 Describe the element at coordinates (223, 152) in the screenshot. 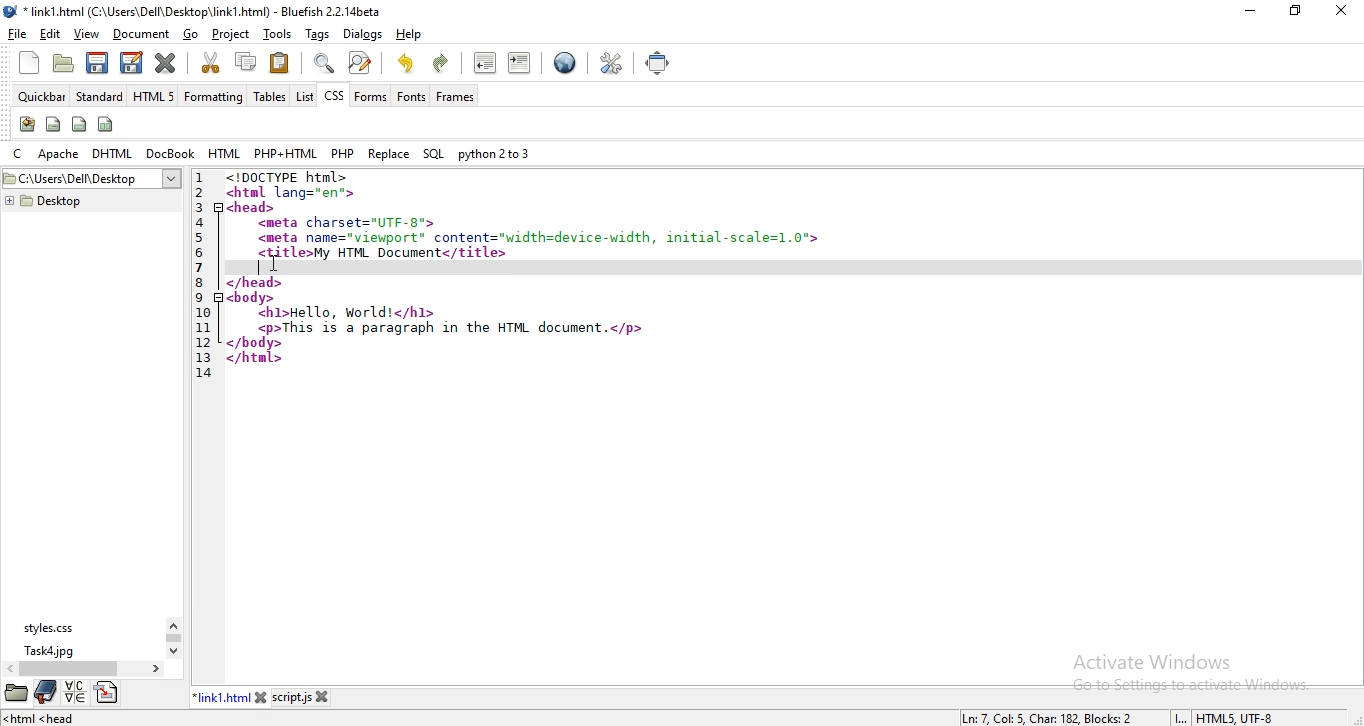

I see `html` at that location.